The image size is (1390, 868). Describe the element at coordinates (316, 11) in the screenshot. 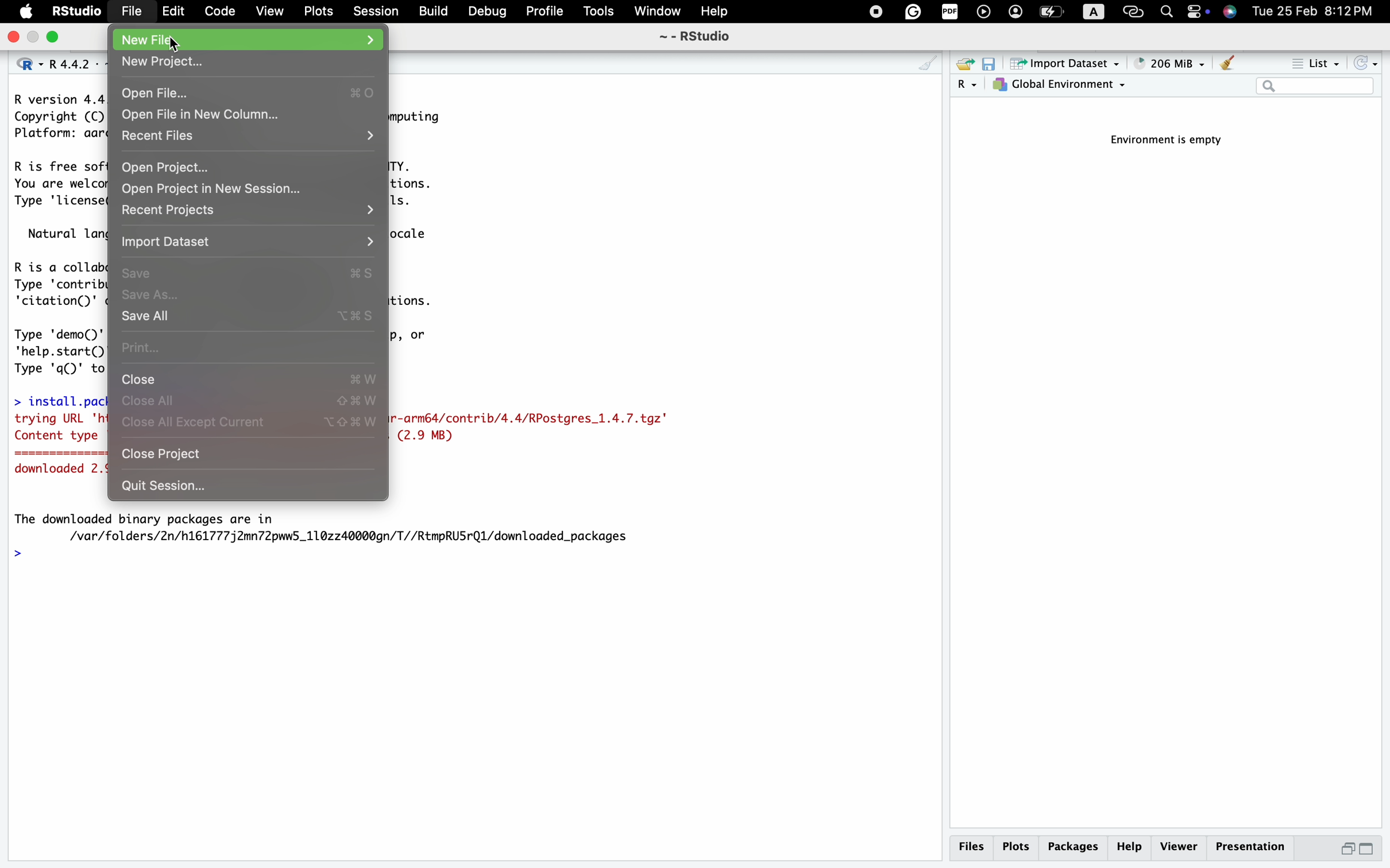

I see `plots` at that location.